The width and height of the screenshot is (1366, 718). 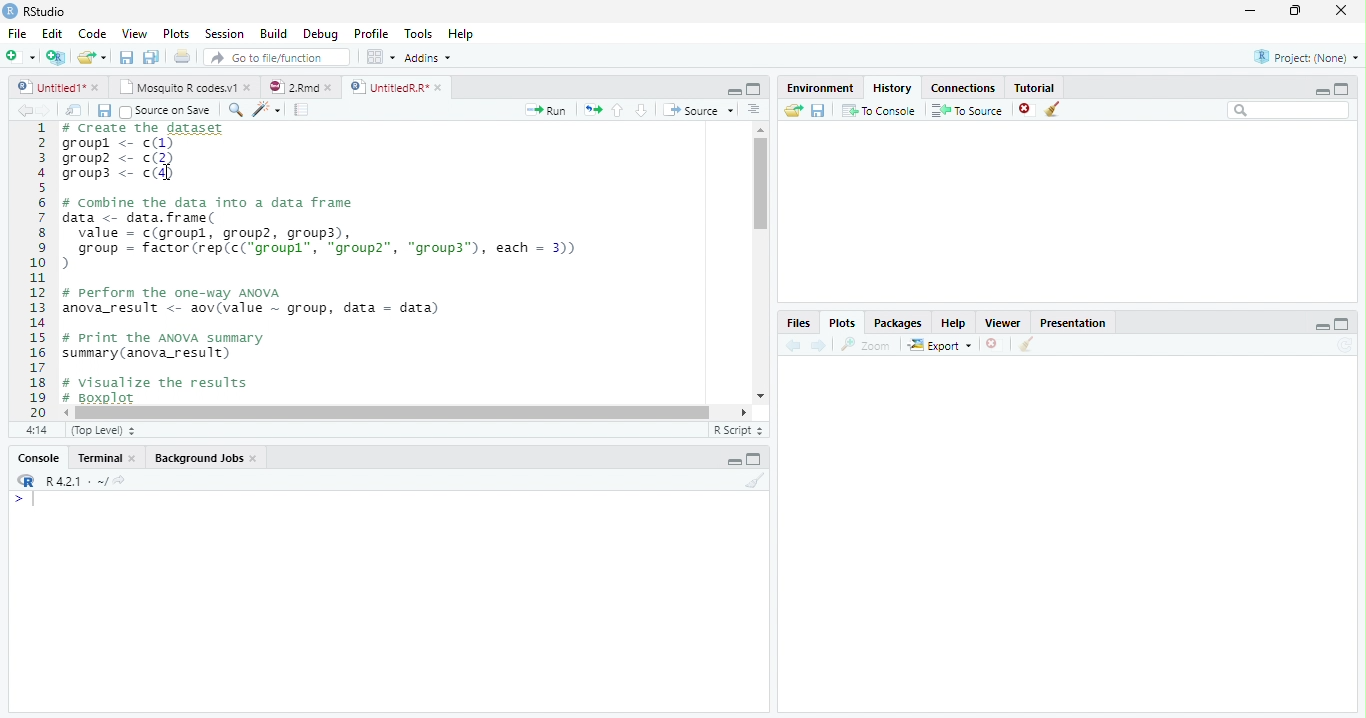 What do you see at coordinates (1289, 111) in the screenshot?
I see `Search` at bounding box center [1289, 111].